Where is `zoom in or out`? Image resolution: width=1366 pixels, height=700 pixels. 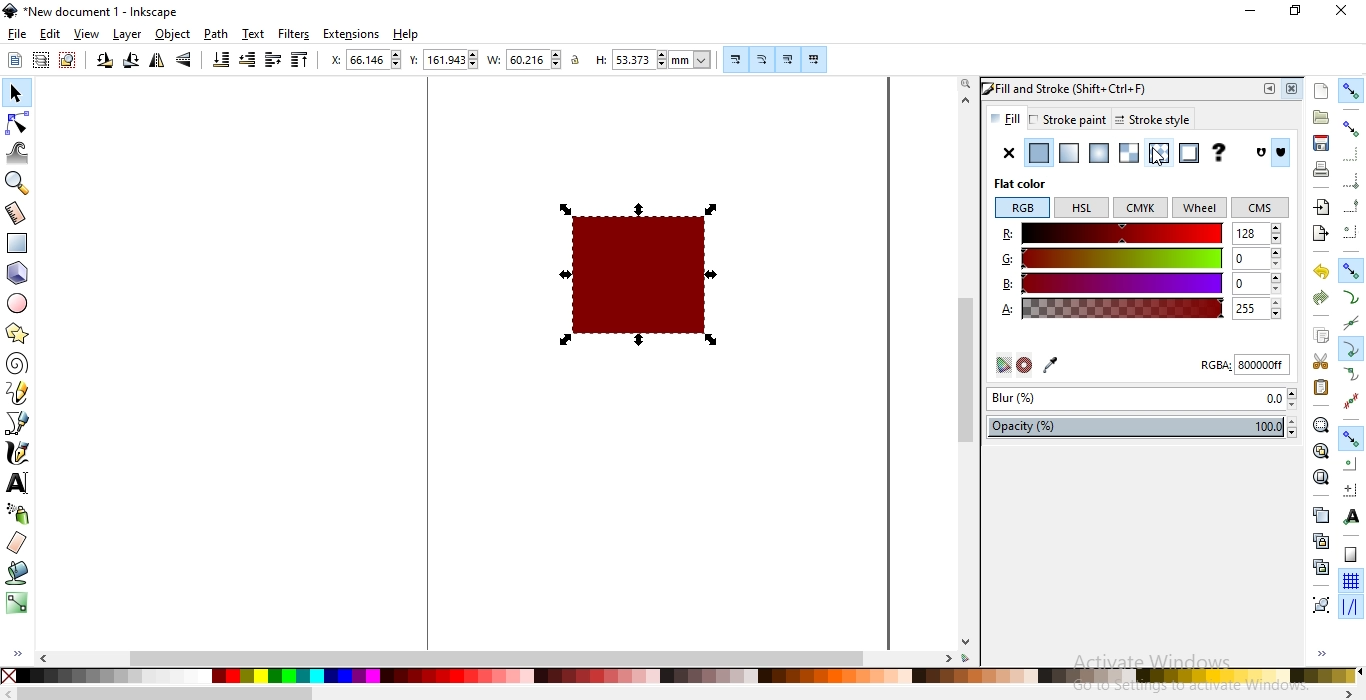
zoom in or out is located at coordinates (20, 182).